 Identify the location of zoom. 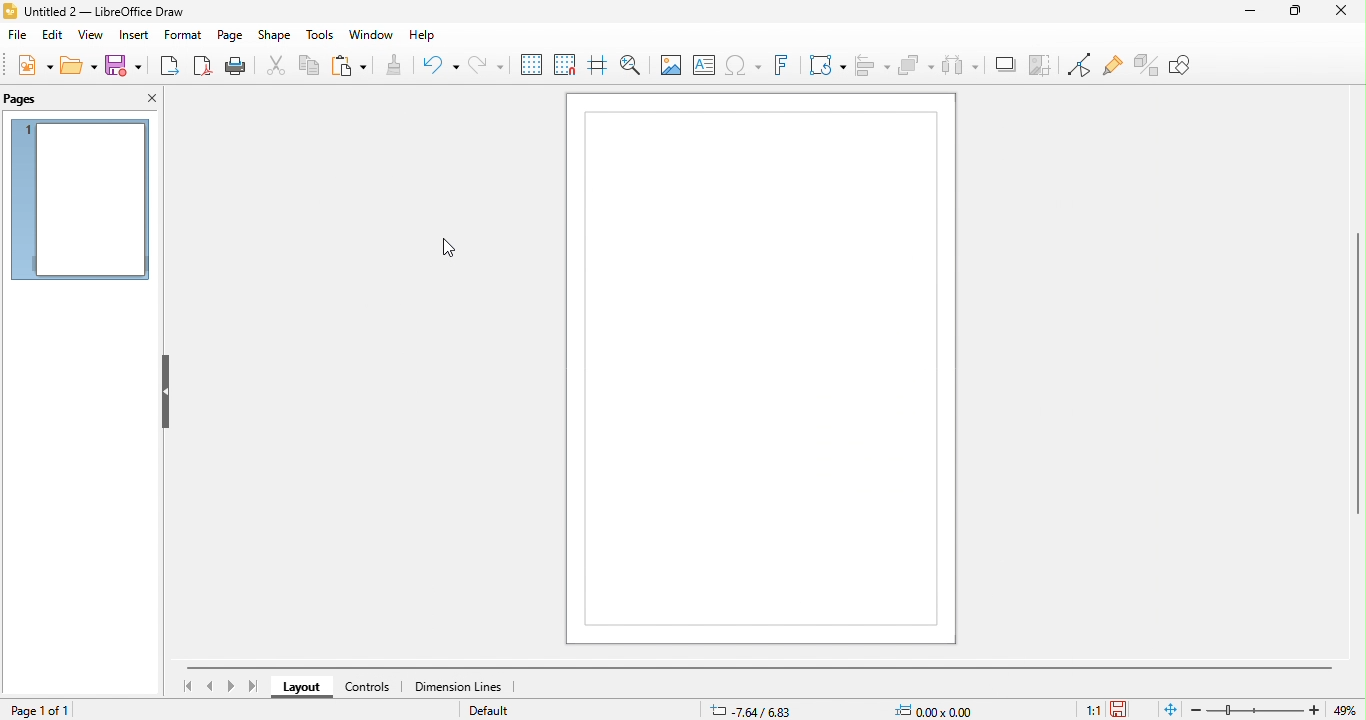
(1278, 709).